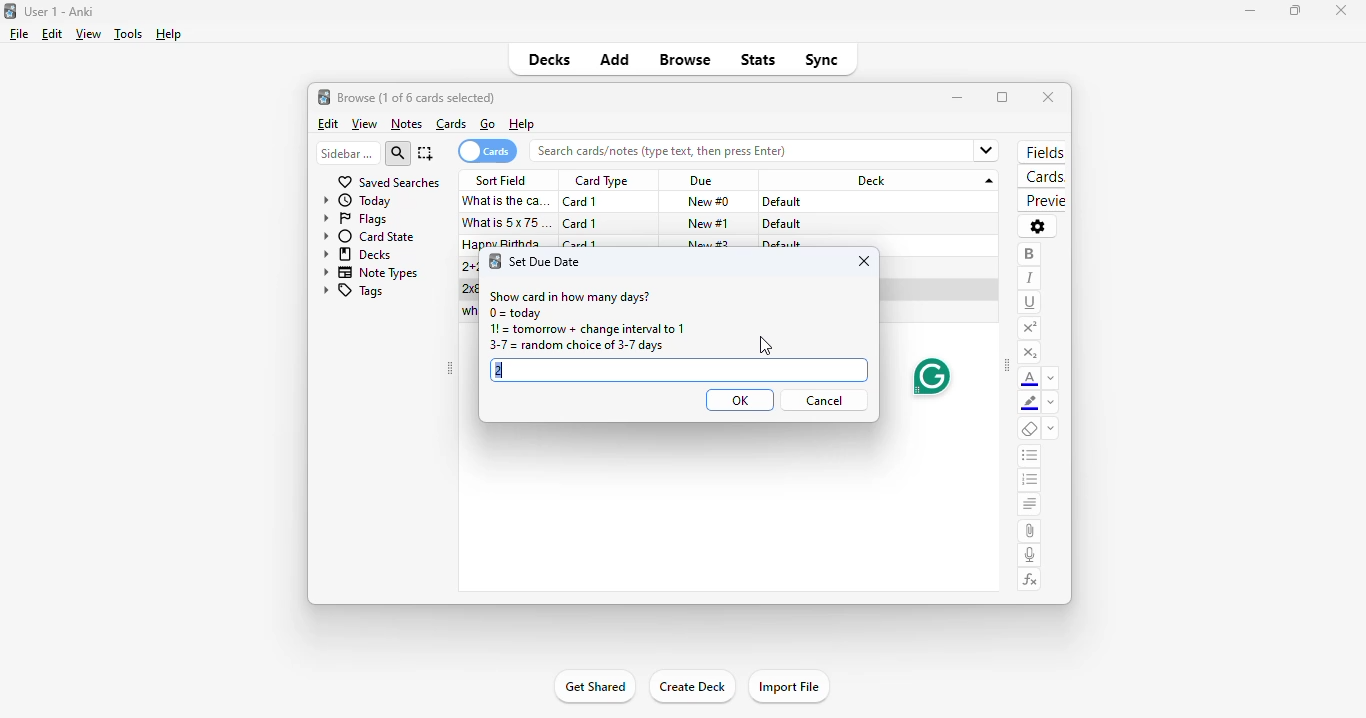 This screenshot has height=718, width=1366. Describe the element at coordinates (388, 182) in the screenshot. I see `saved searches` at that location.